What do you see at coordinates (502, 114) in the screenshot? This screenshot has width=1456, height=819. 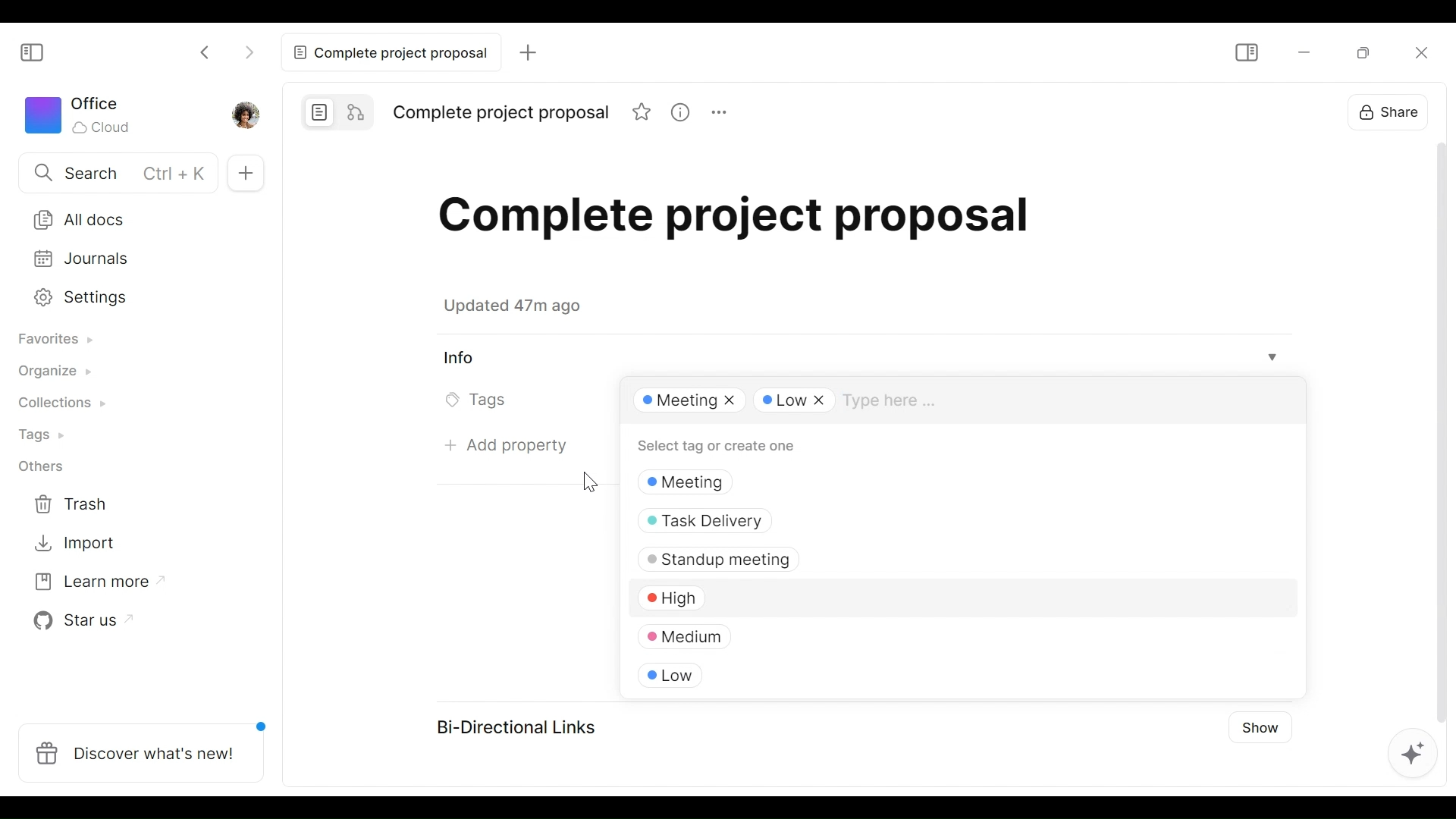 I see `Title` at bounding box center [502, 114].